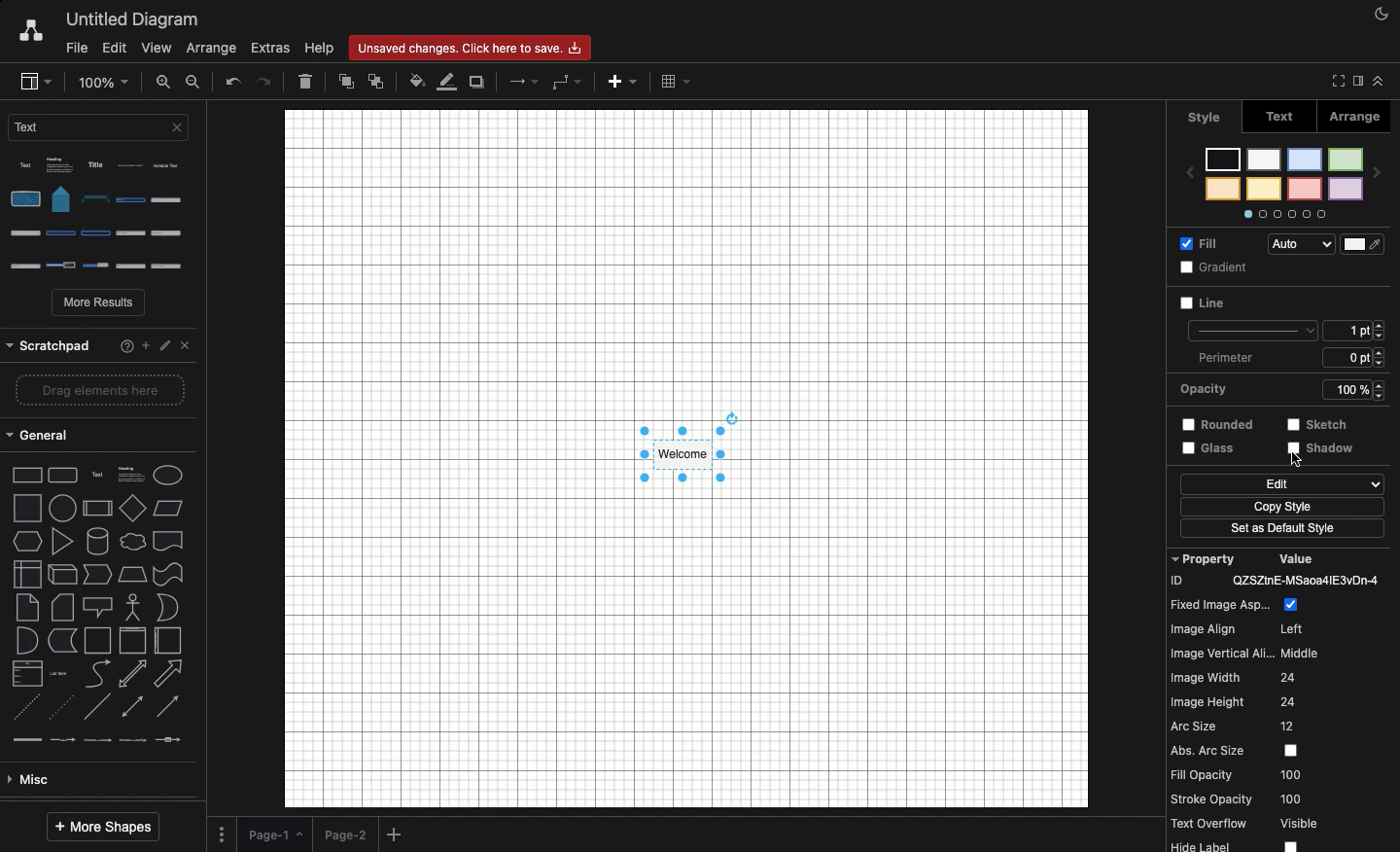 This screenshot has width=1400, height=852. What do you see at coordinates (34, 82) in the screenshot?
I see `Sidebar` at bounding box center [34, 82].